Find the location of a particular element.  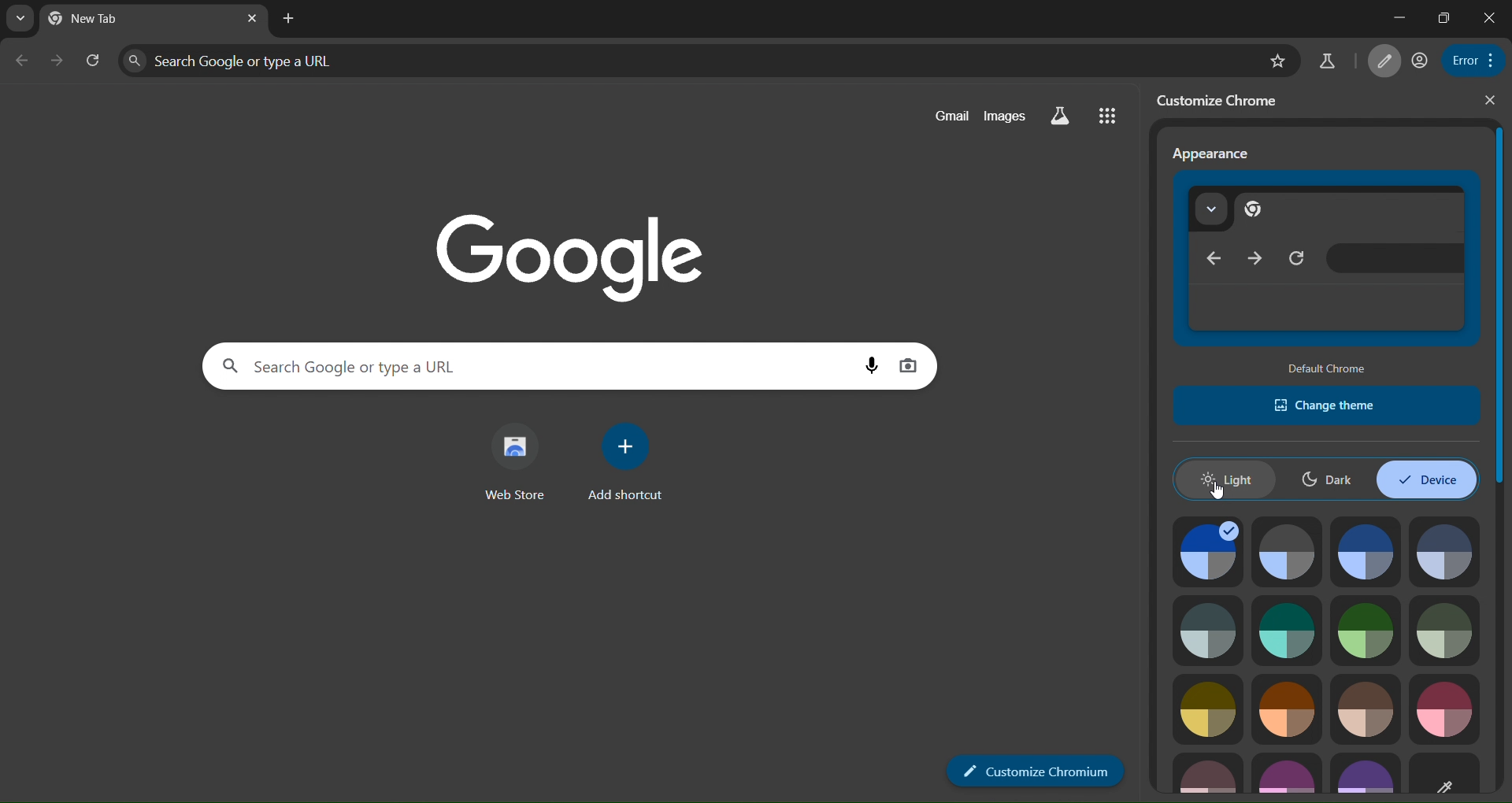

image is located at coordinates (1209, 771).